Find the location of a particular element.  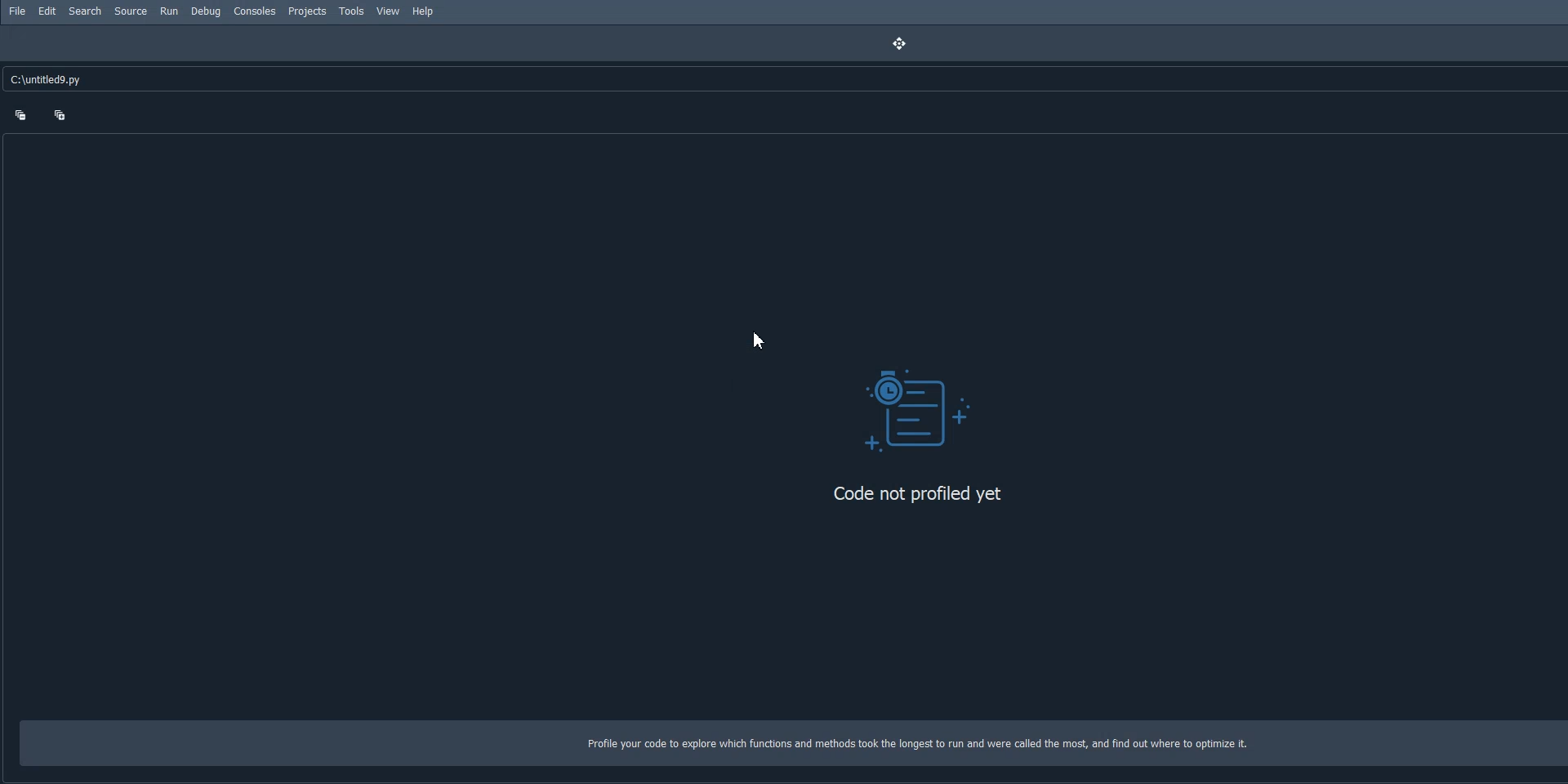

Consoles is located at coordinates (255, 11).